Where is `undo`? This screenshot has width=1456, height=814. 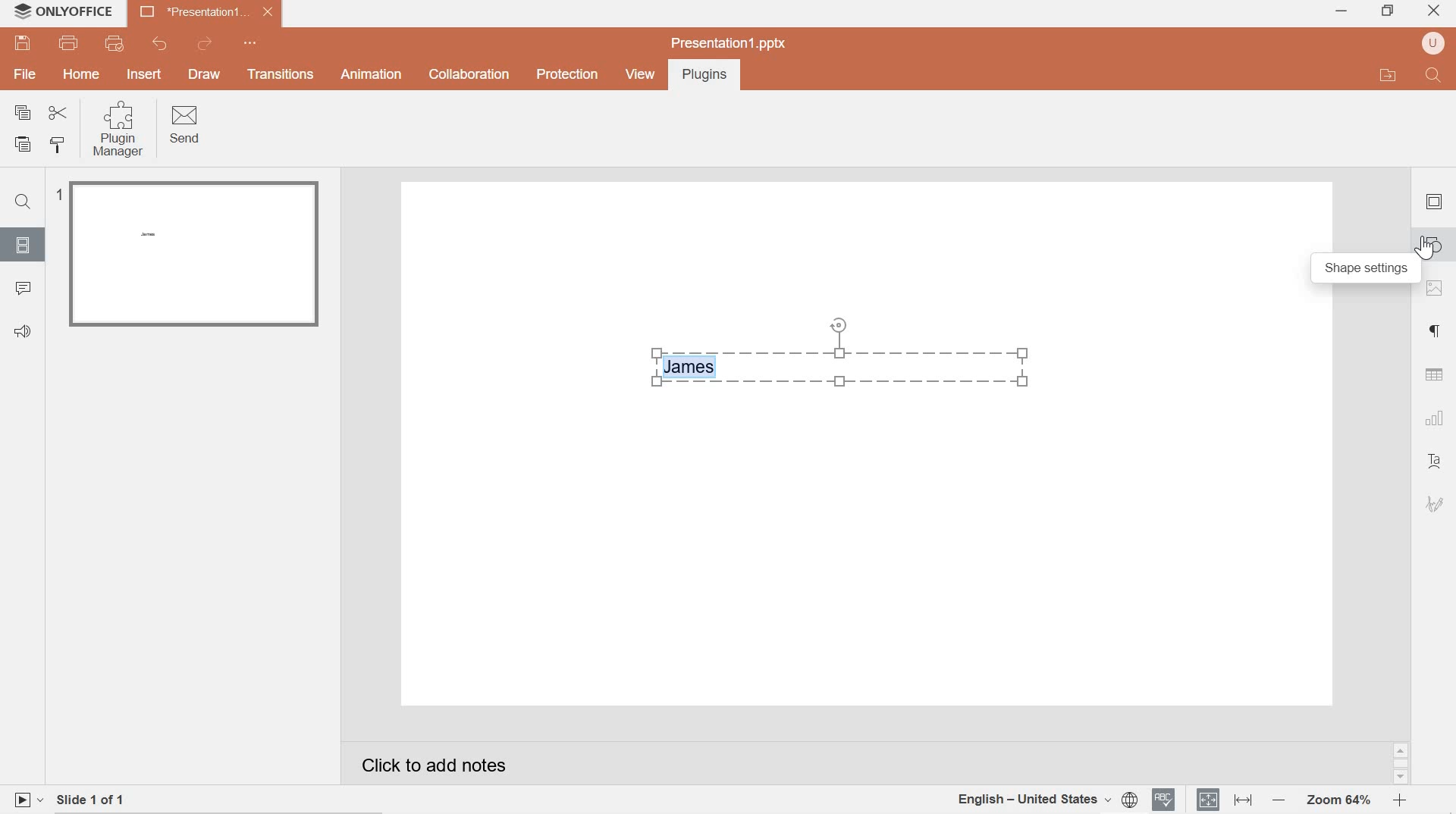 undo is located at coordinates (157, 44).